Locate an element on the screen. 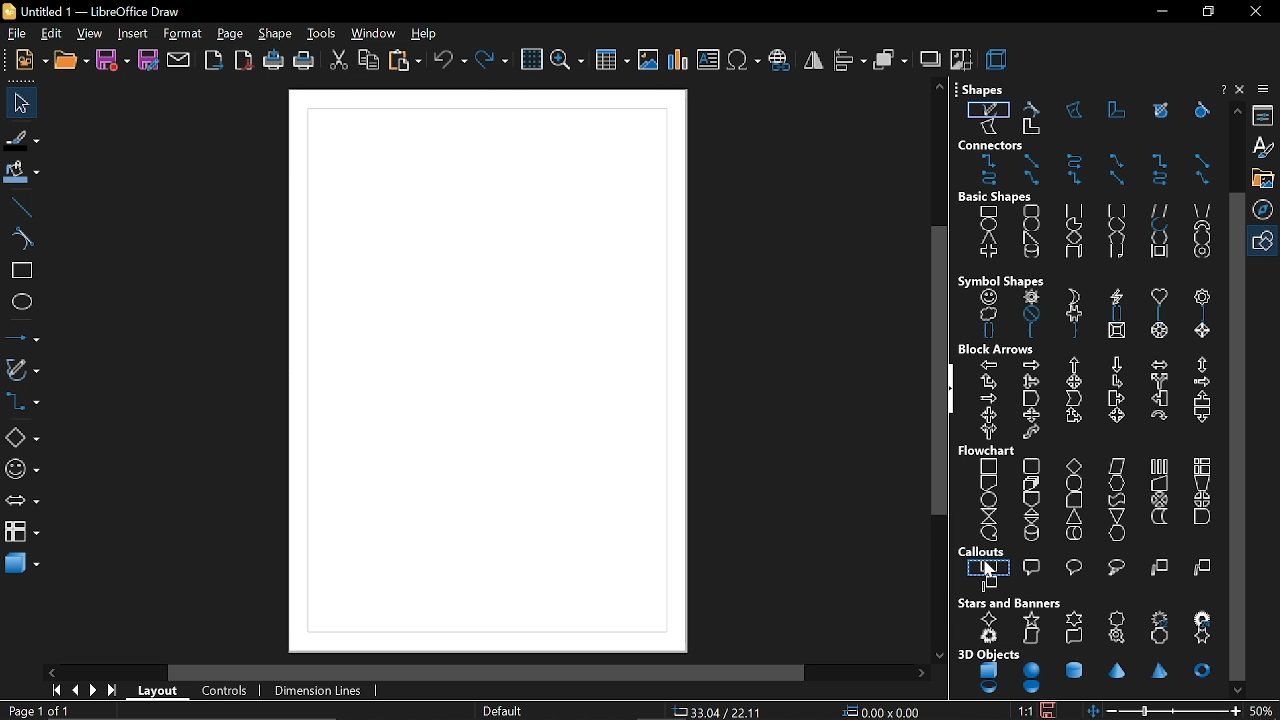 This screenshot has width=1280, height=720. view is located at coordinates (88, 33).